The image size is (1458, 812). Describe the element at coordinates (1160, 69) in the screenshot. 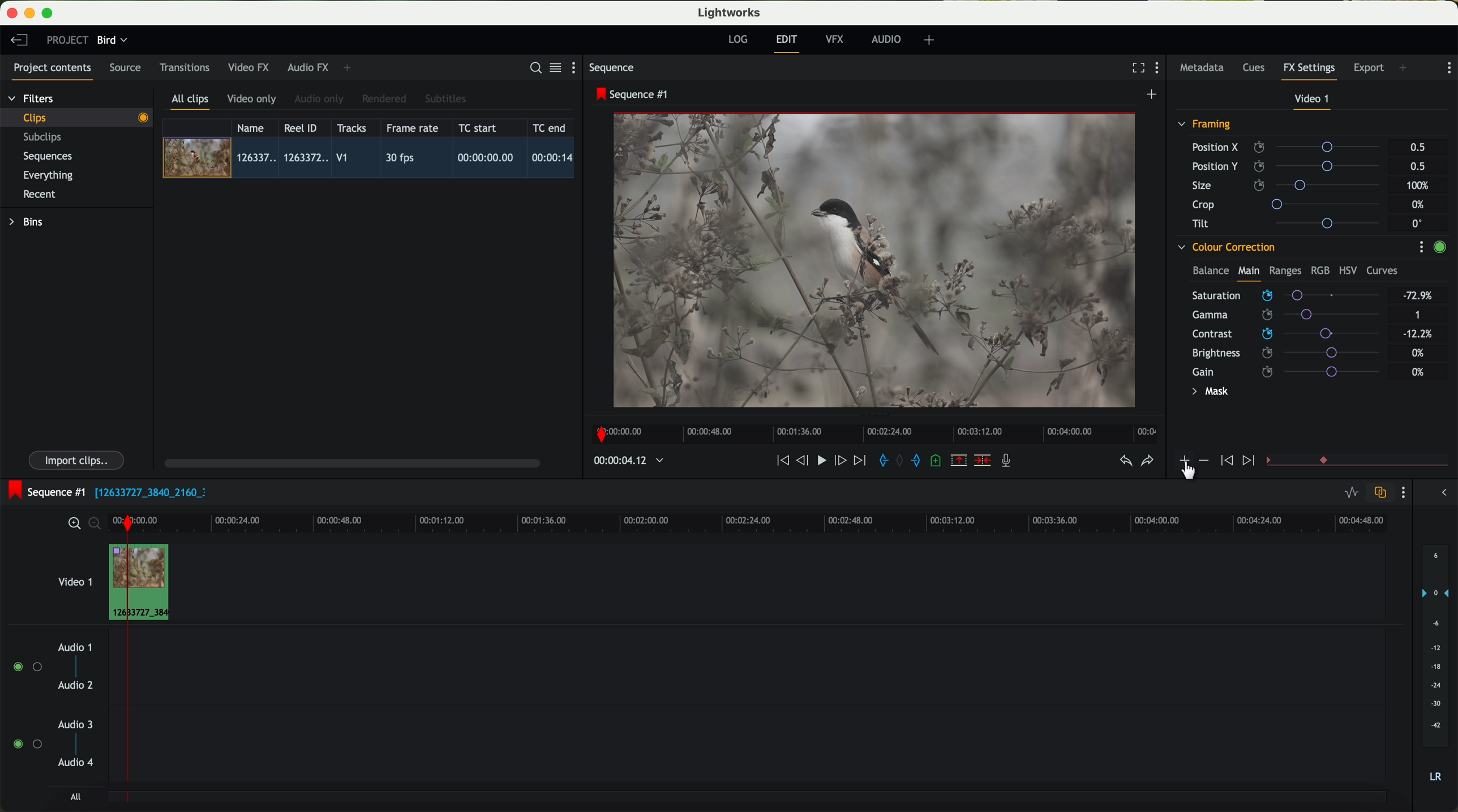

I see `show settings menu` at that location.